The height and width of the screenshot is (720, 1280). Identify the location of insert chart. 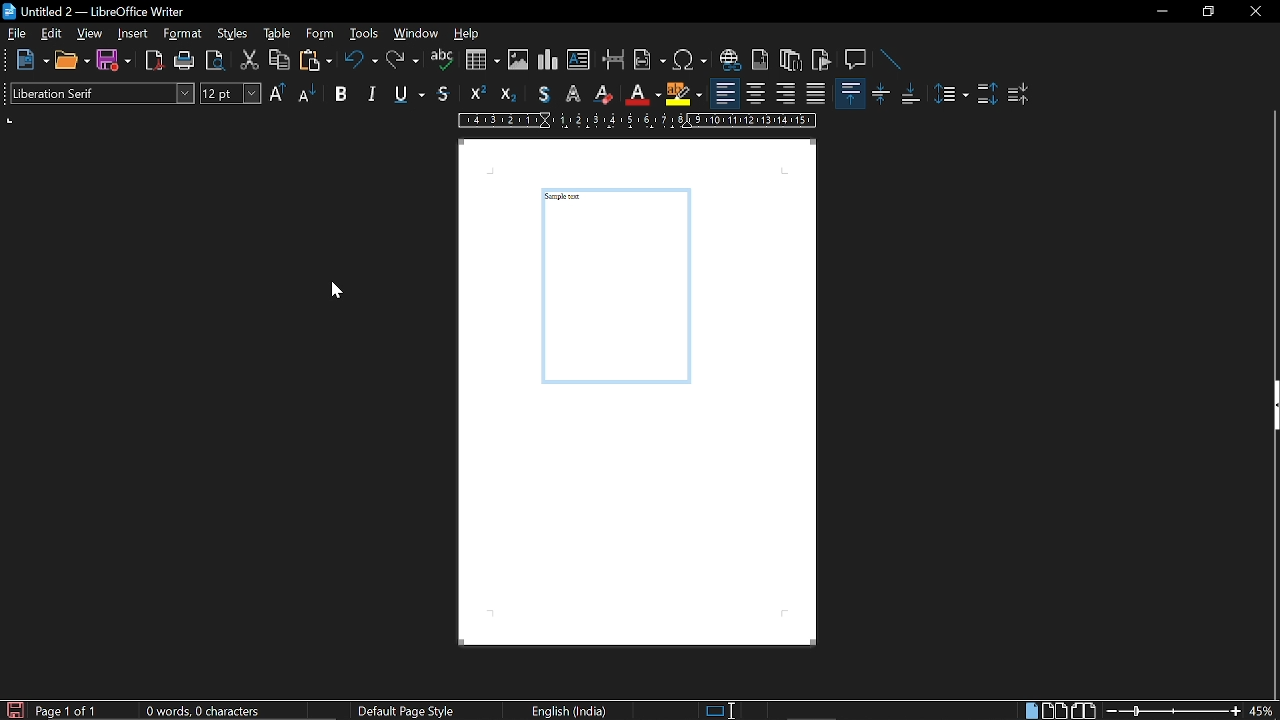
(483, 60).